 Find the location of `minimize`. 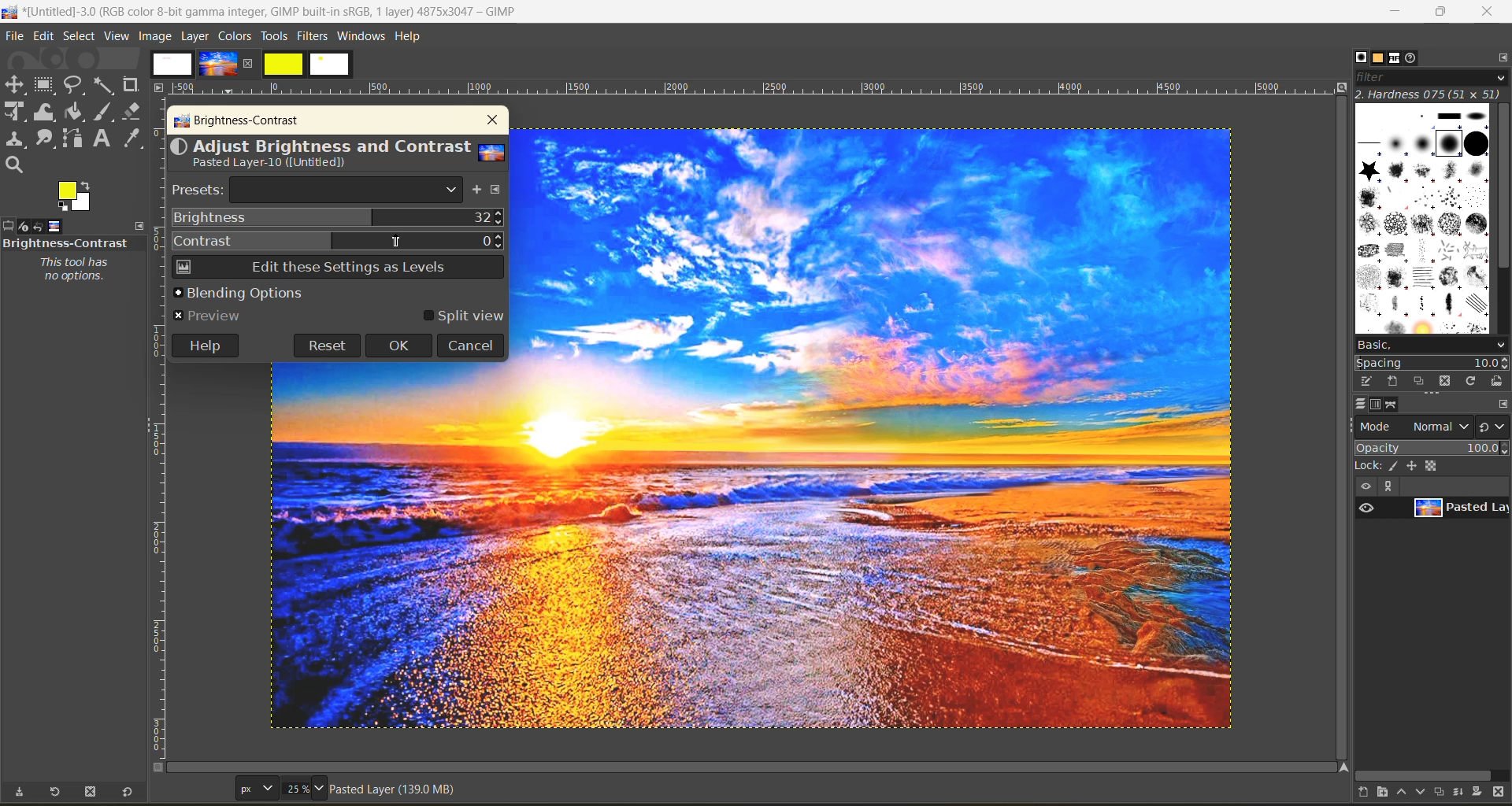

minimize is located at coordinates (1393, 12).